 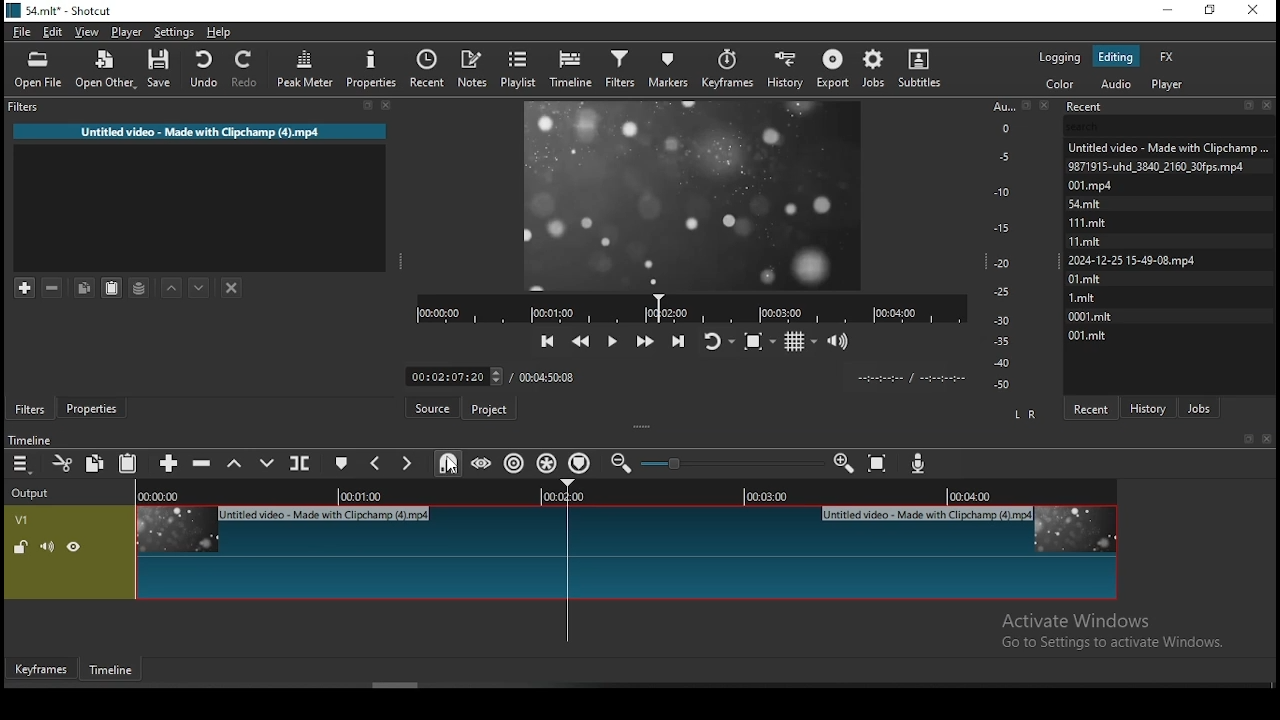 What do you see at coordinates (104, 69) in the screenshot?
I see `open other` at bounding box center [104, 69].